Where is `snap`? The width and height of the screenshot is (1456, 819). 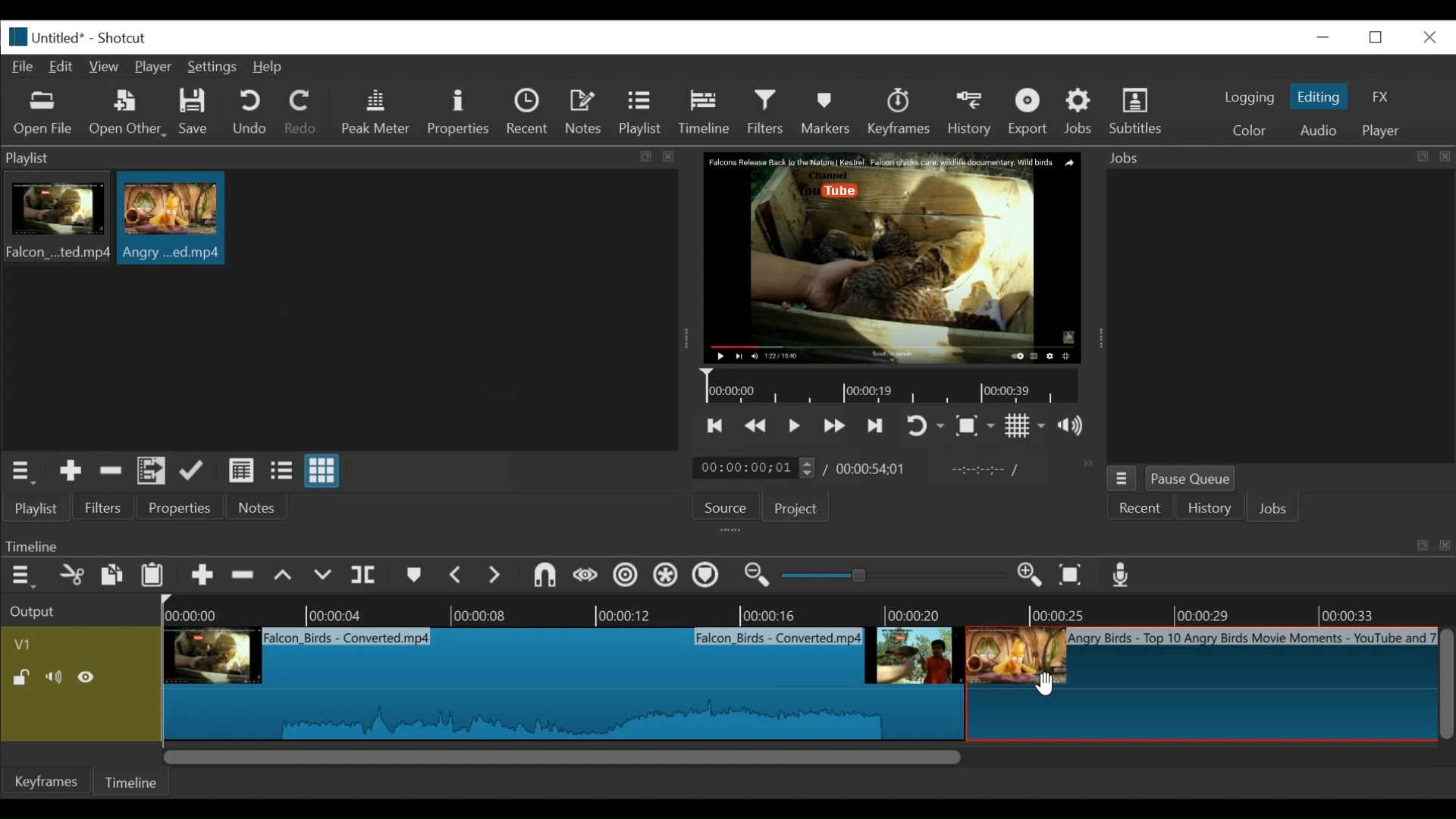
snap is located at coordinates (547, 577).